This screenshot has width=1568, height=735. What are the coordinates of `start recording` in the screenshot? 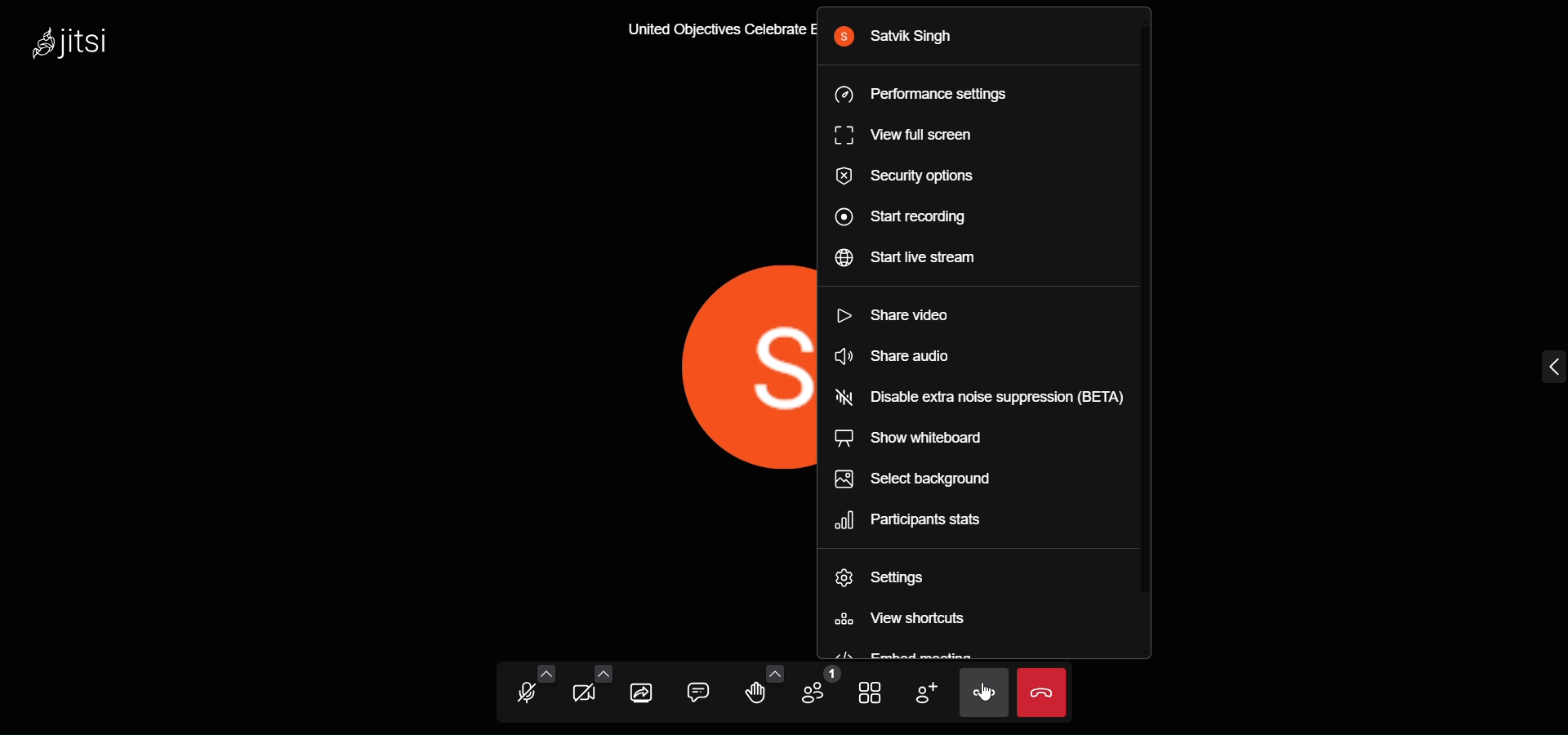 It's located at (911, 218).